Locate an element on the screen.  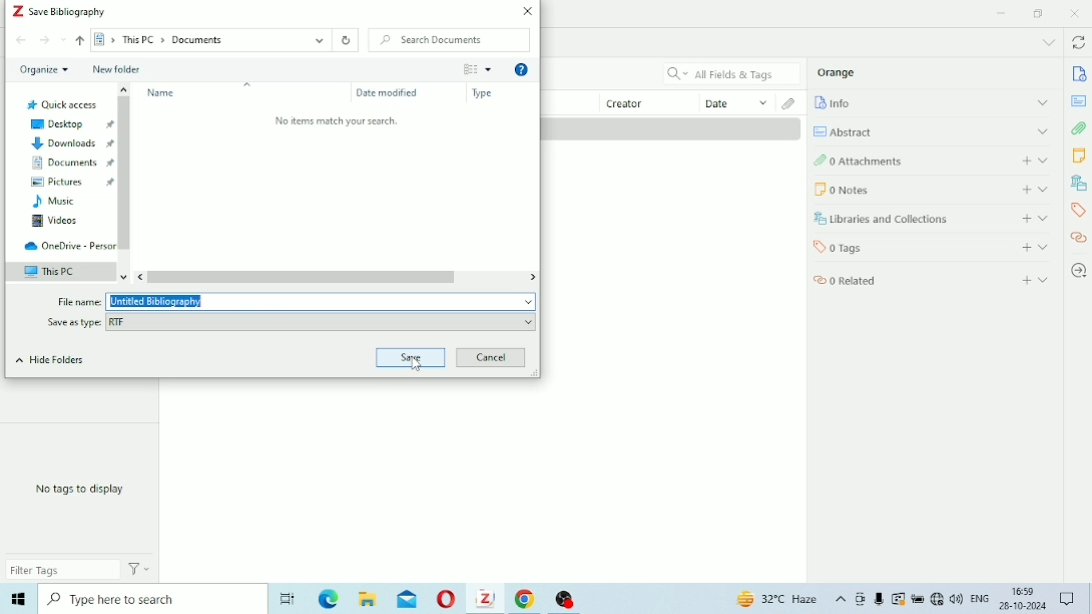
26-10-2024 is located at coordinates (1026, 605).